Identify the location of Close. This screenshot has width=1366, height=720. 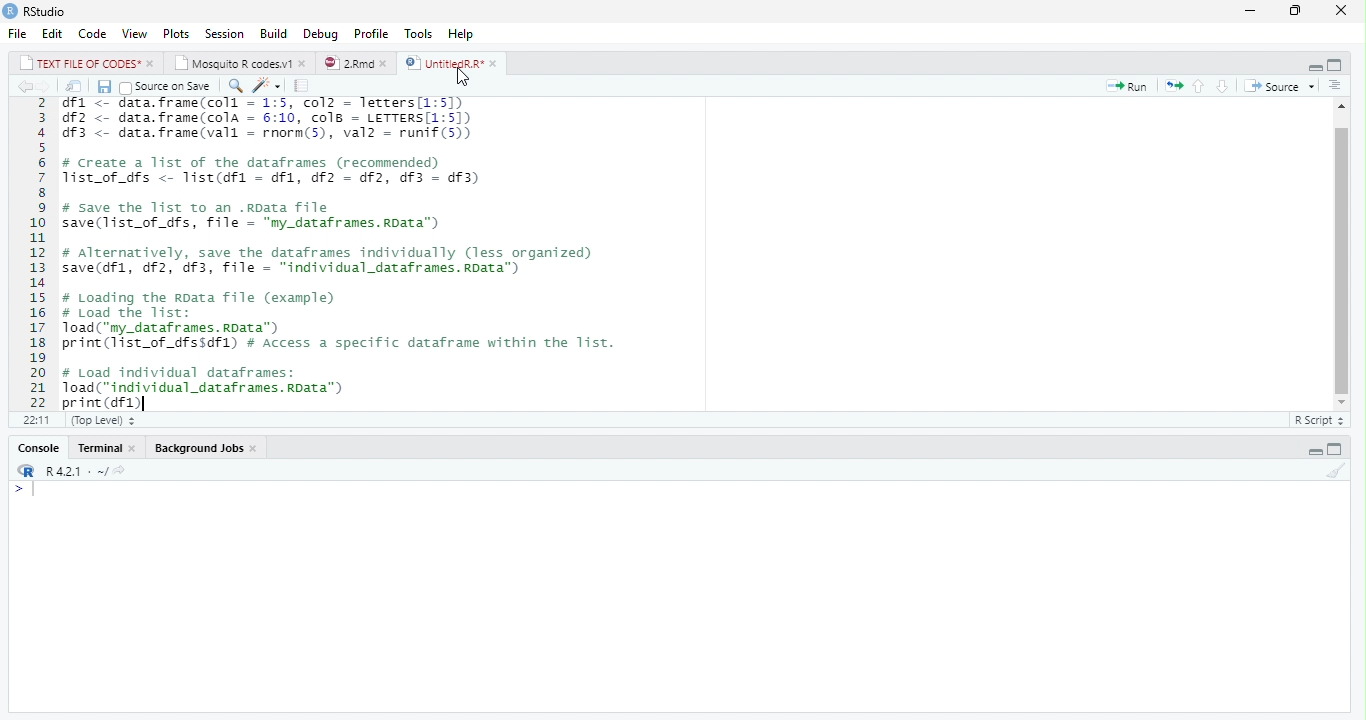
(1341, 11).